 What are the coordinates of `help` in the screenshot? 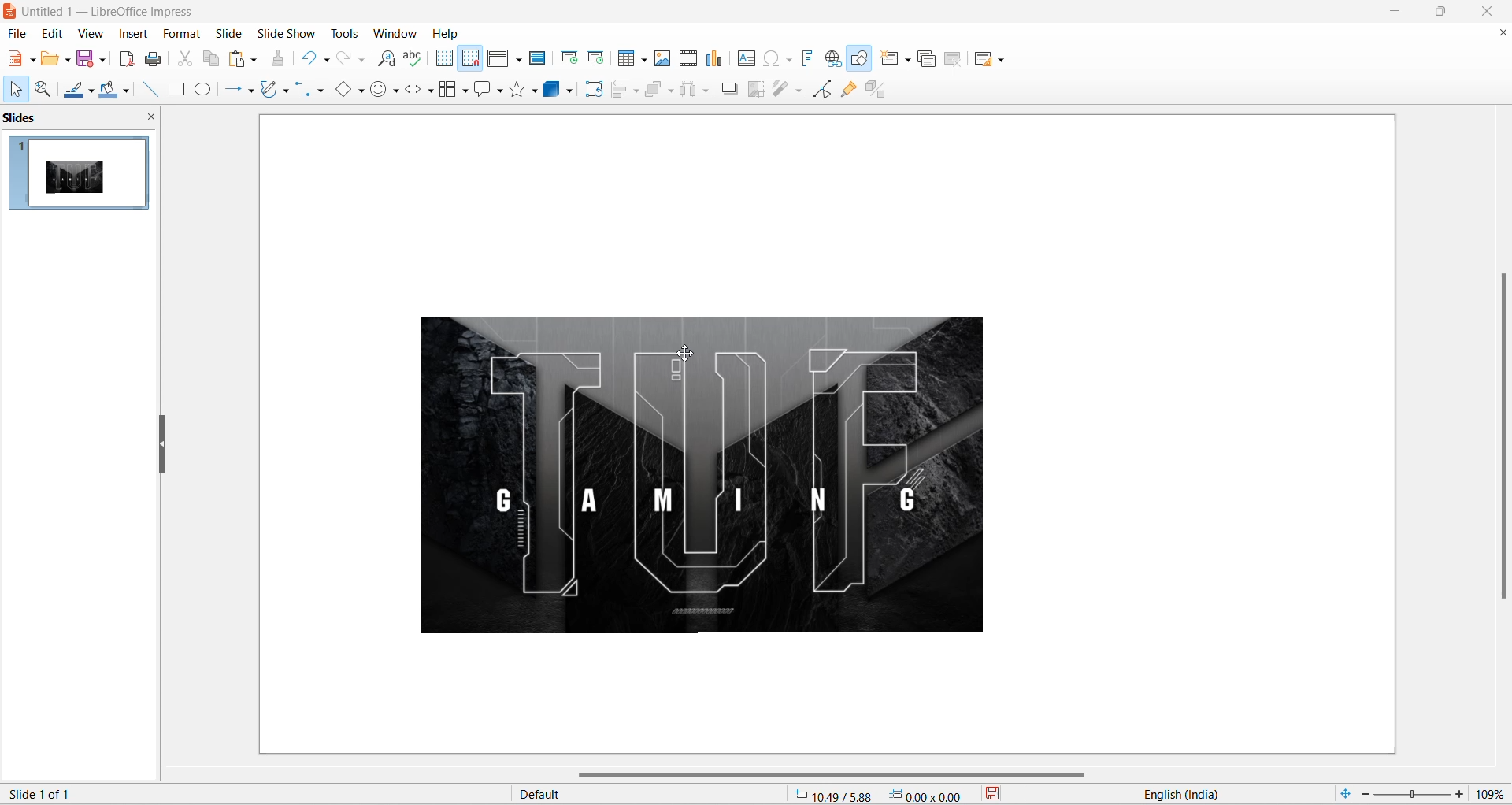 It's located at (447, 33).